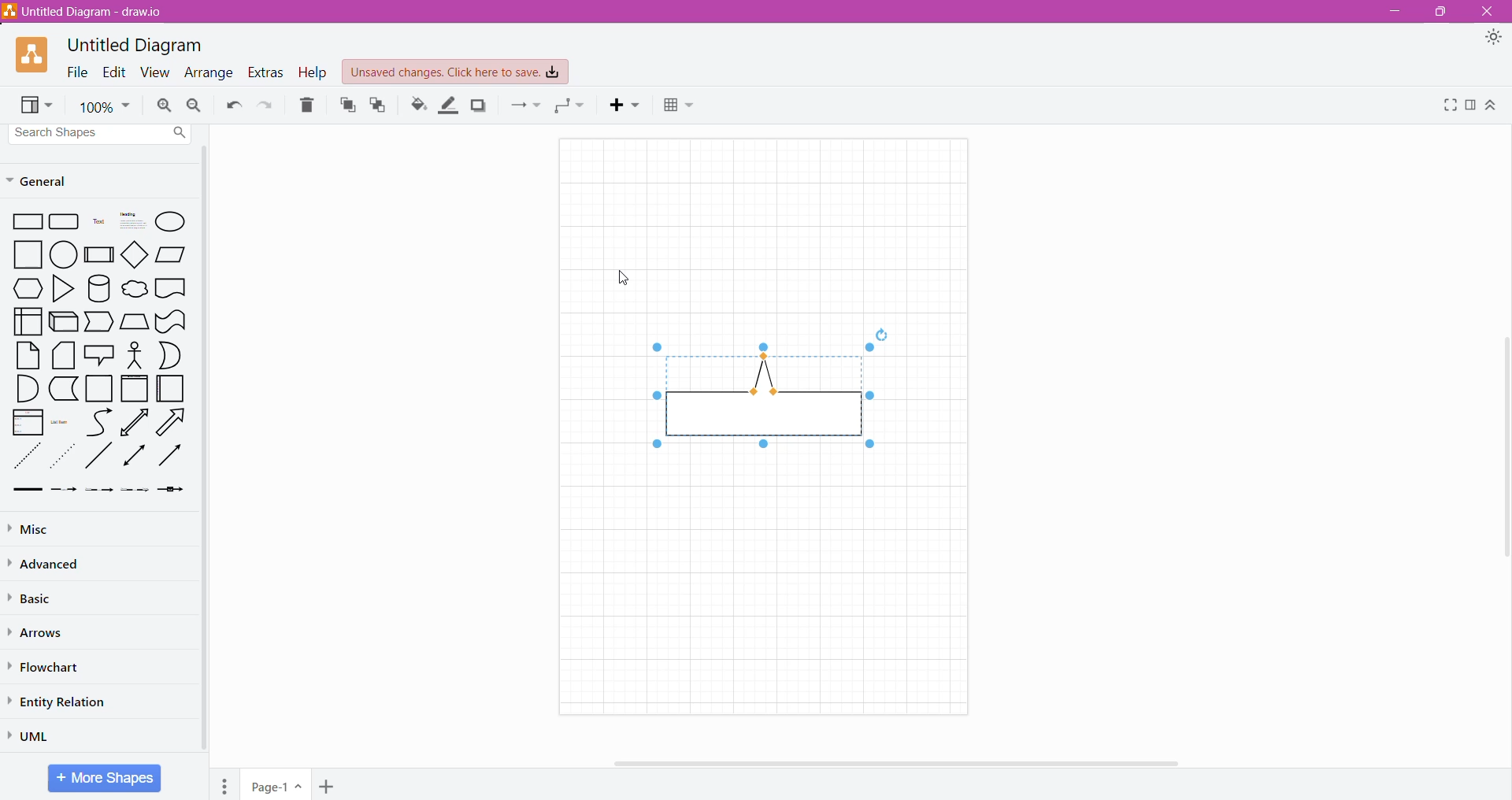 The height and width of the screenshot is (800, 1512). I want to click on Arrange, so click(209, 72).